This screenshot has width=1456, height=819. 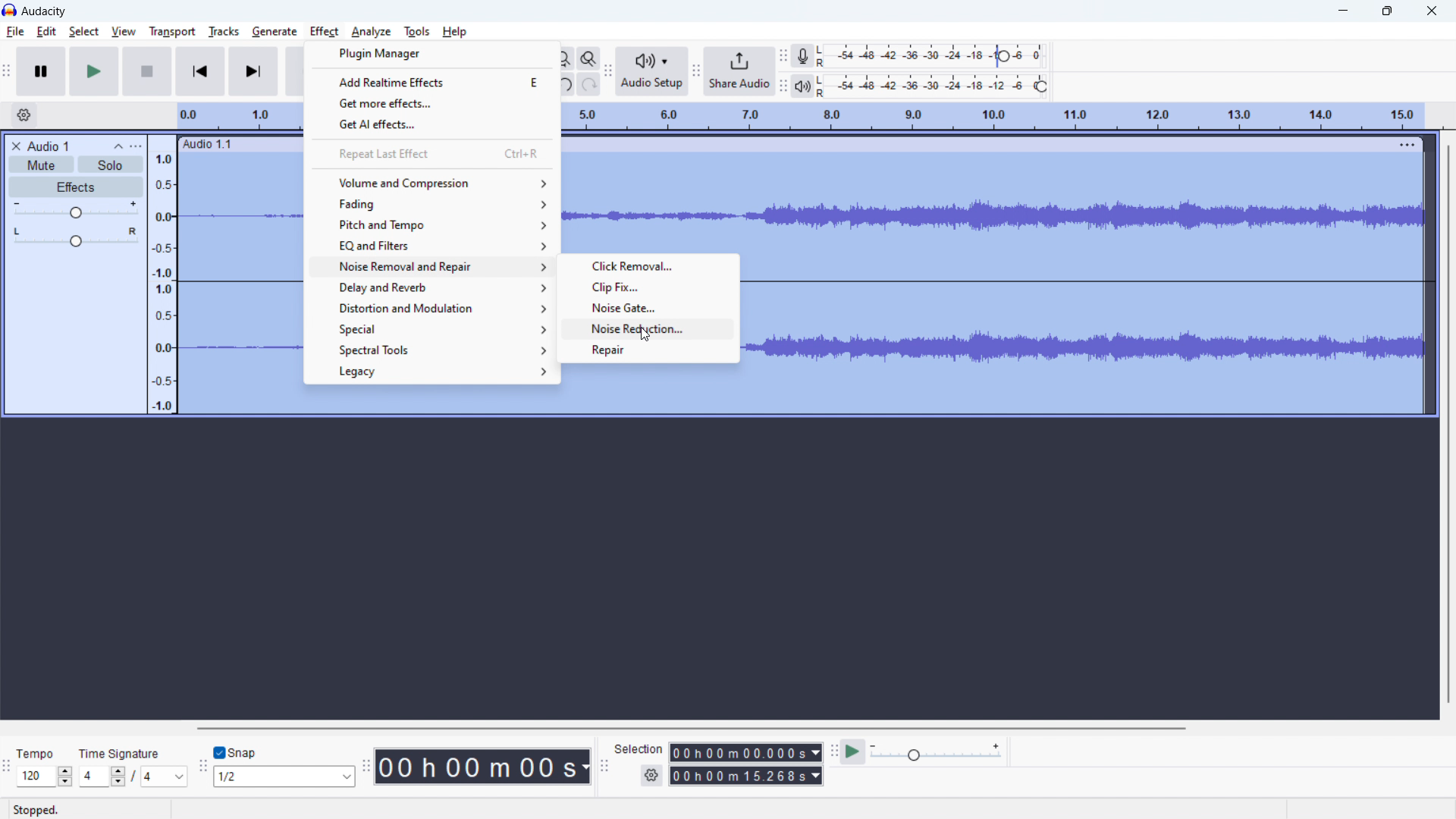 I want to click on minimize, so click(x=1344, y=13).